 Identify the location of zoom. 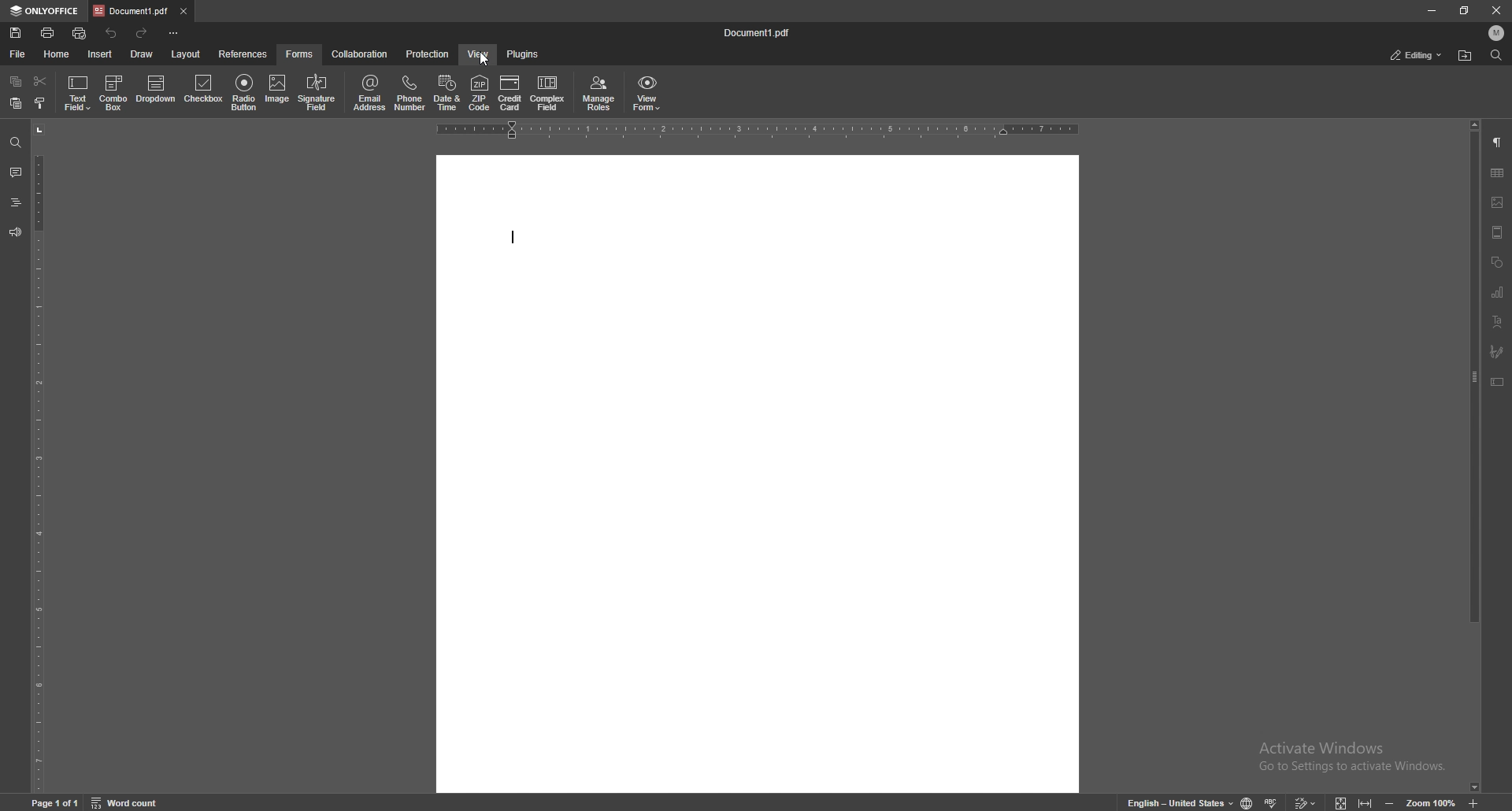
(1433, 803).